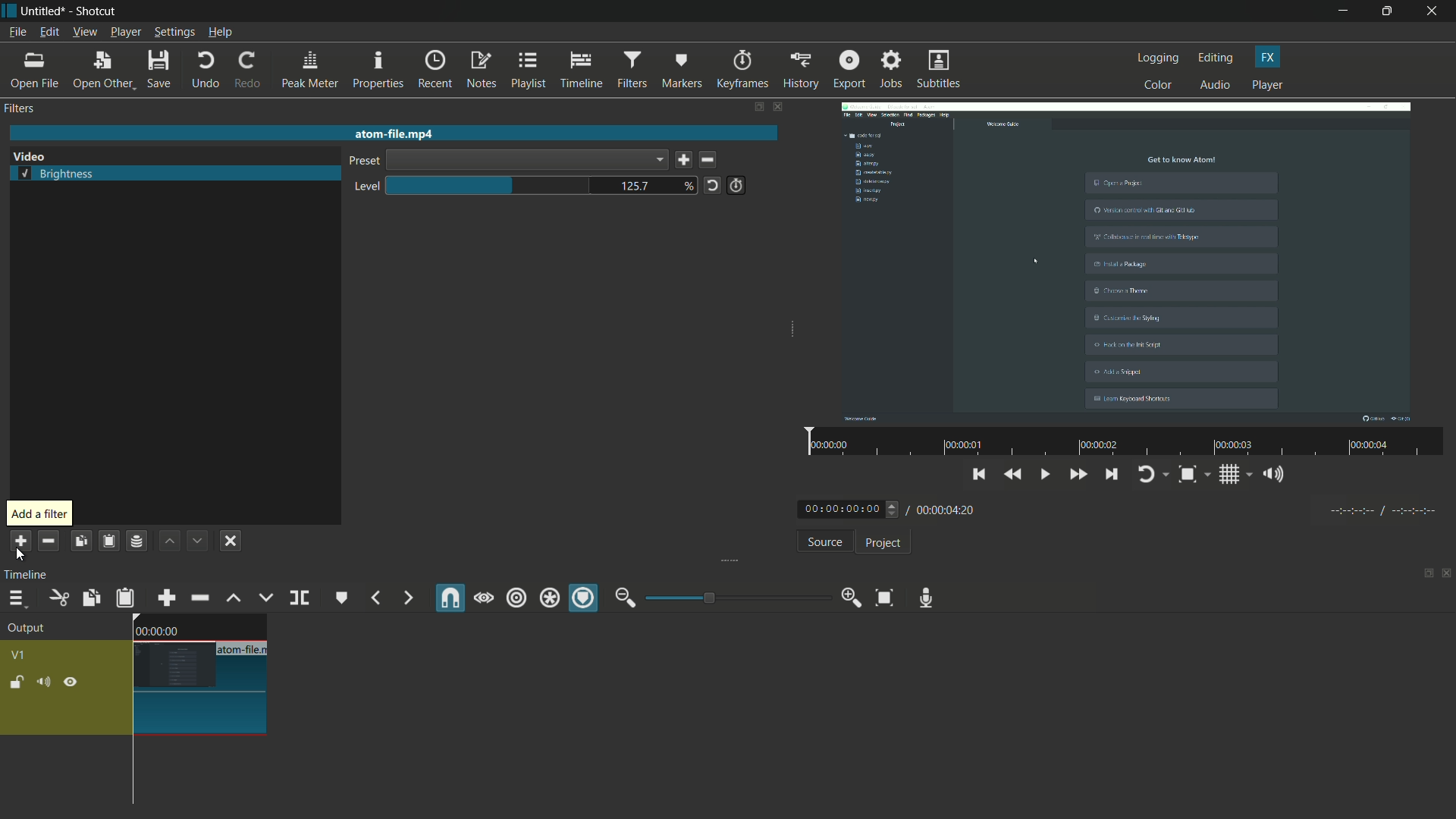  Describe the element at coordinates (263, 598) in the screenshot. I see `overwrite` at that location.